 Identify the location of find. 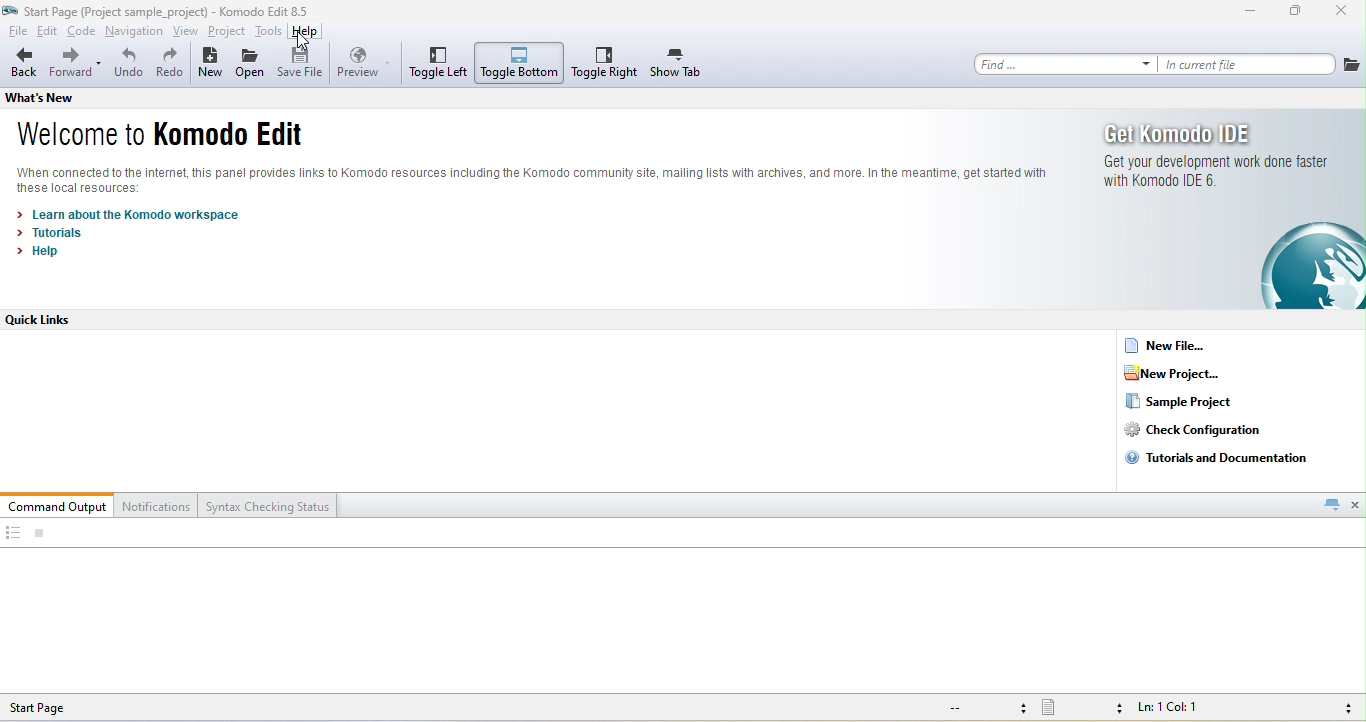
(1065, 64).